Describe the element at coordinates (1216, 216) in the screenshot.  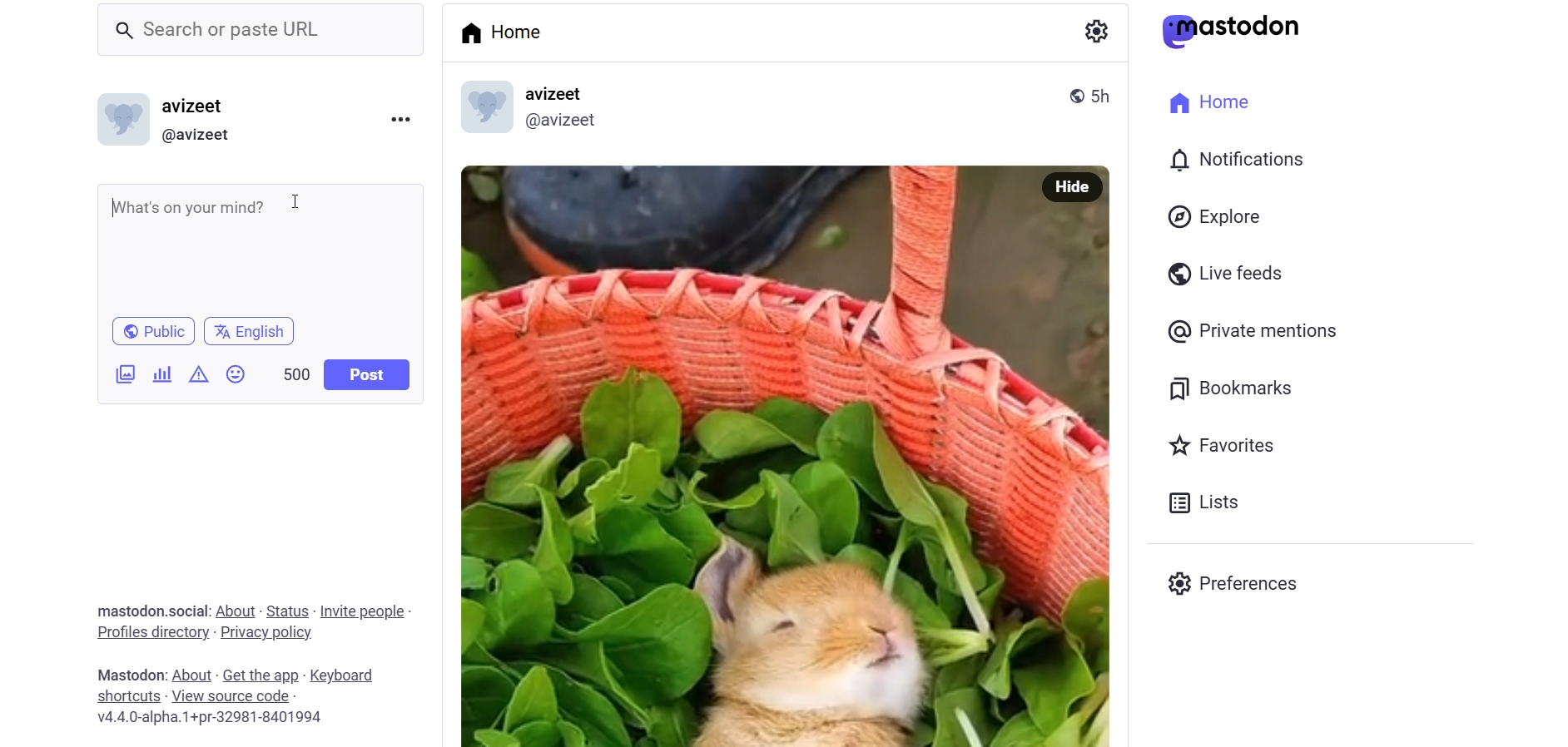
I see `explore` at that location.